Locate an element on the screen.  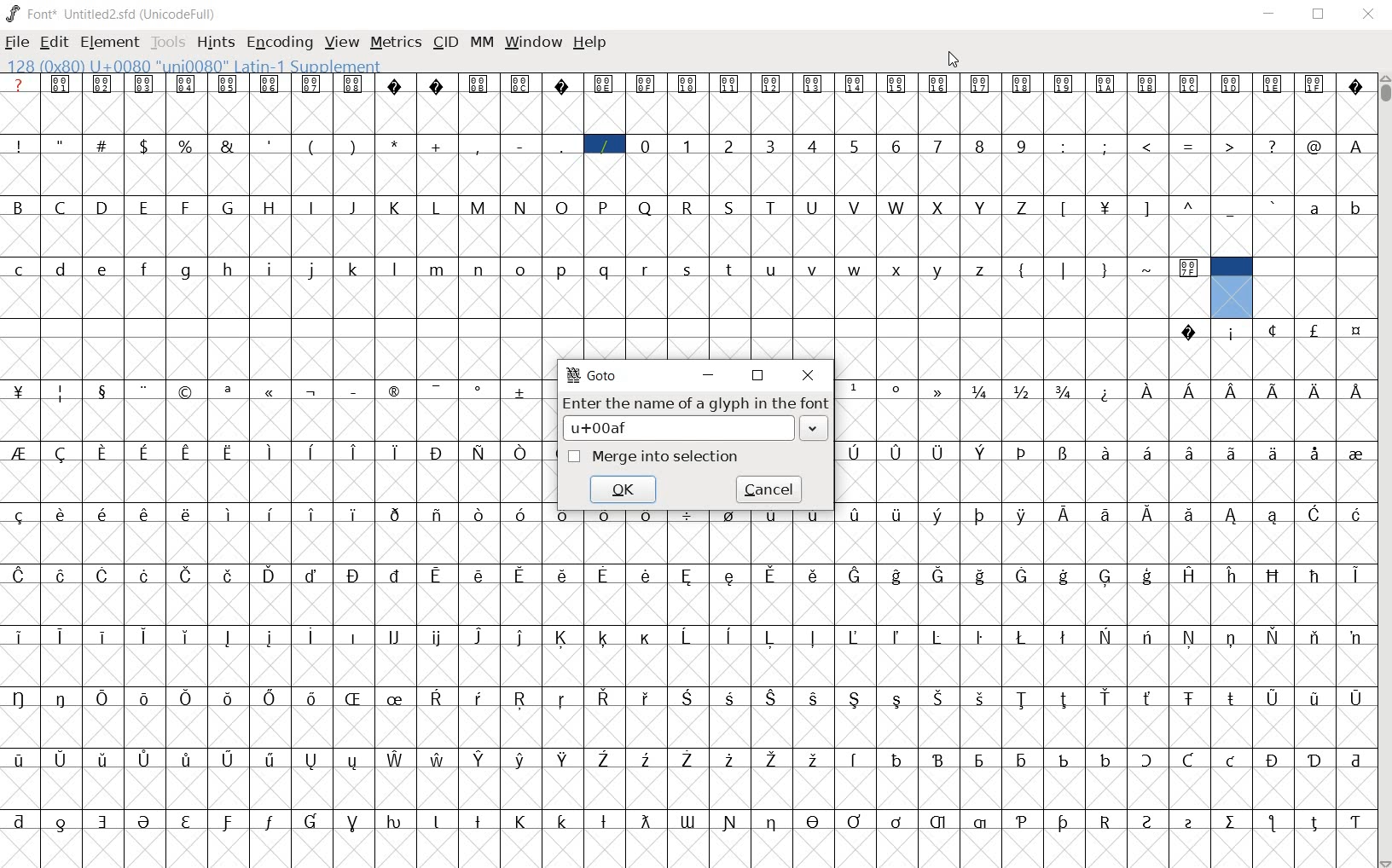
Symbol is located at coordinates (1149, 86).